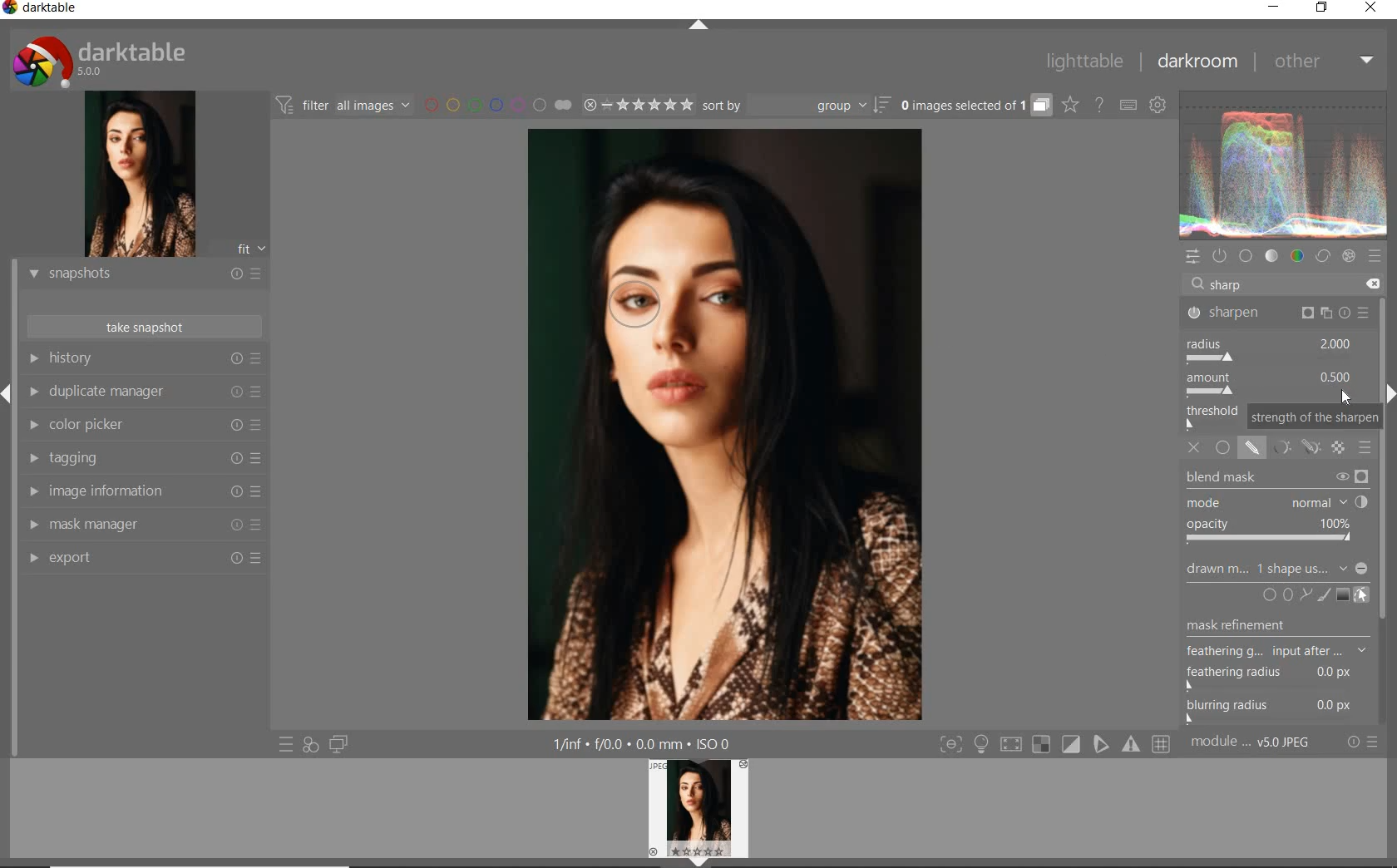  I want to click on filter images by color labels, so click(482, 106).